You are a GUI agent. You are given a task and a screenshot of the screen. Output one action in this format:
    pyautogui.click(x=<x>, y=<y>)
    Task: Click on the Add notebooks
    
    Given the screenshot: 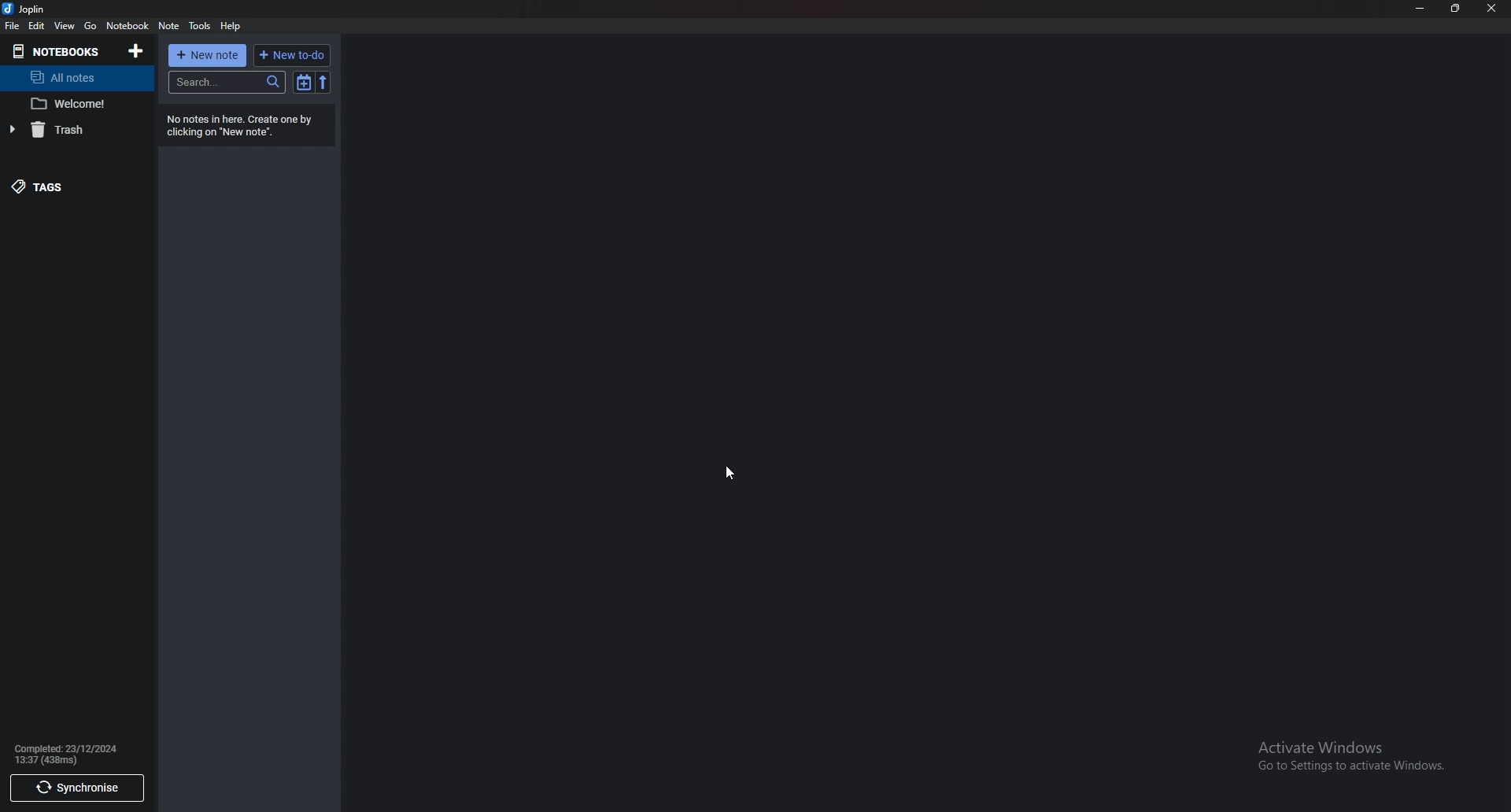 What is the action you would take?
    pyautogui.click(x=138, y=50)
    